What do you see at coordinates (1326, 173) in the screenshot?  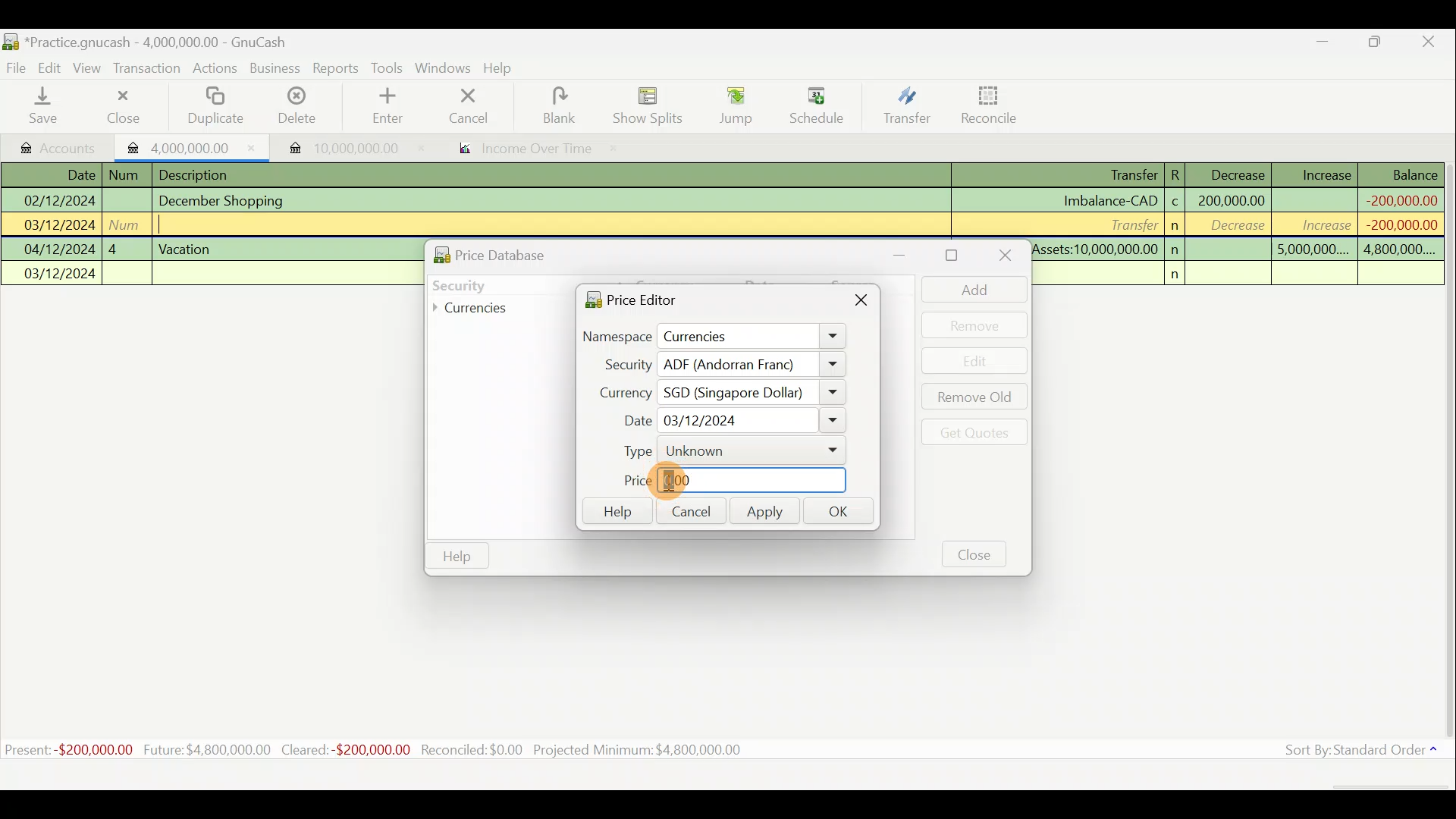 I see `Increase` at bounding box center [1326, 173].